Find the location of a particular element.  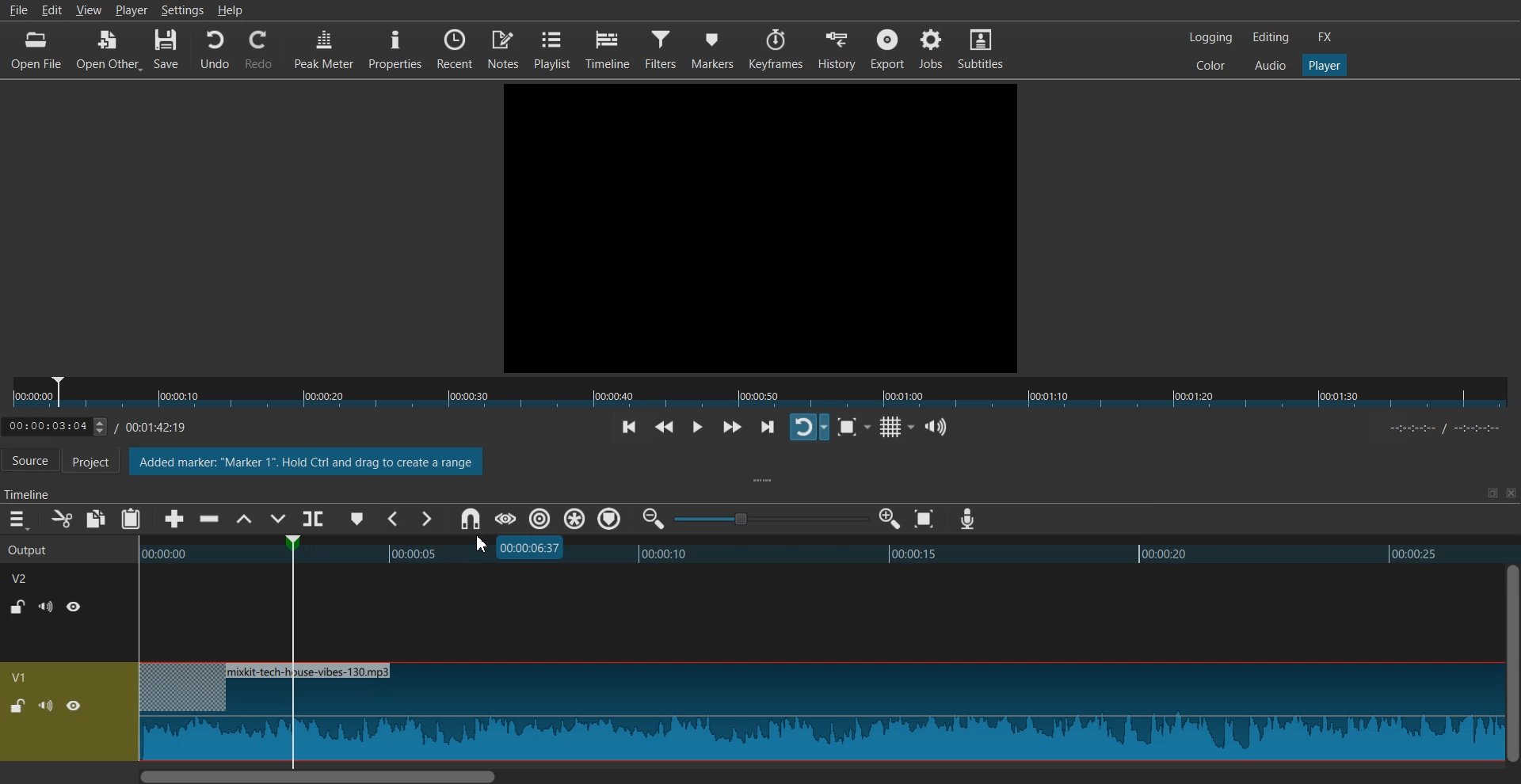

Timeline is located at coordinates (608, 49).